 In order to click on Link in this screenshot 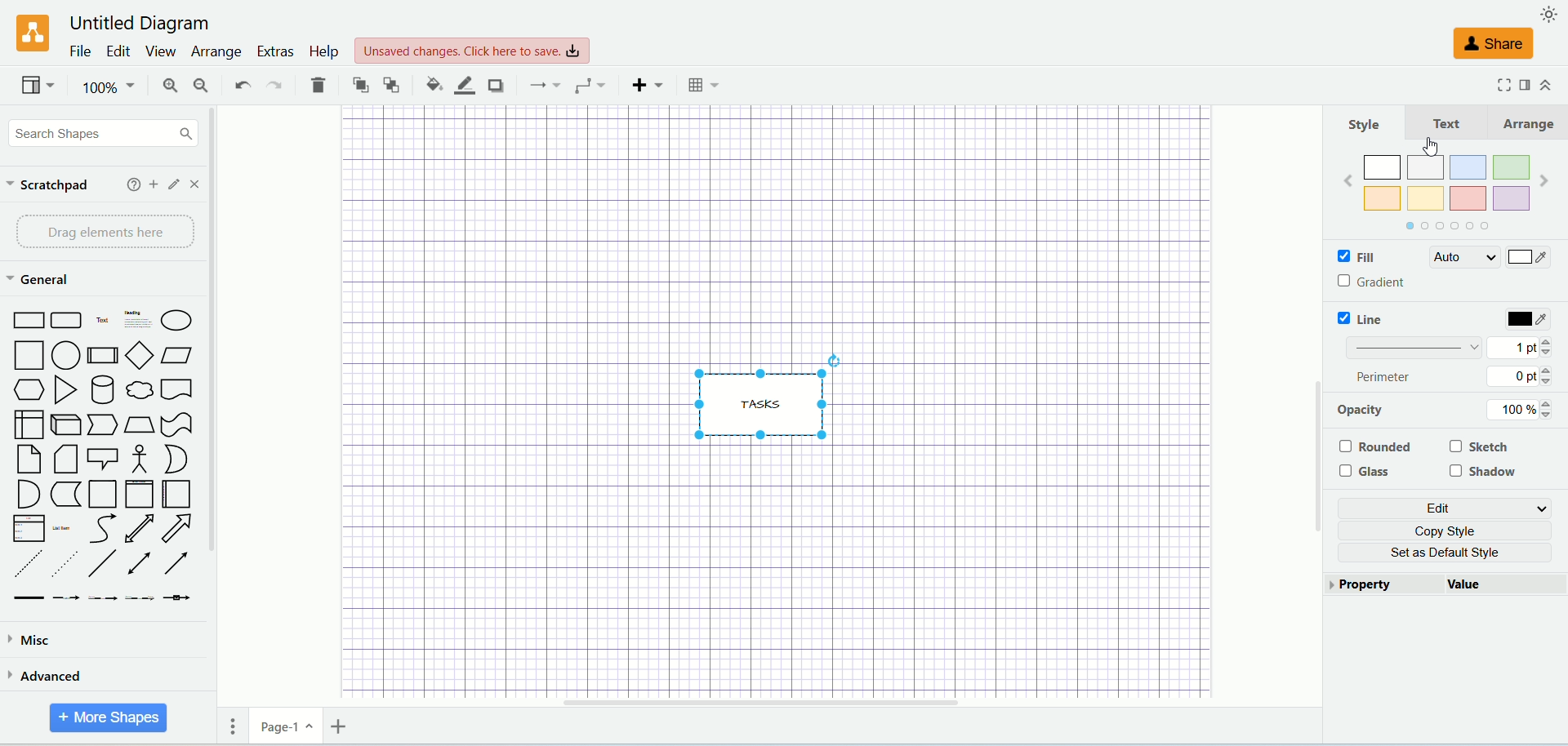, I will do `click(29, 598)`.